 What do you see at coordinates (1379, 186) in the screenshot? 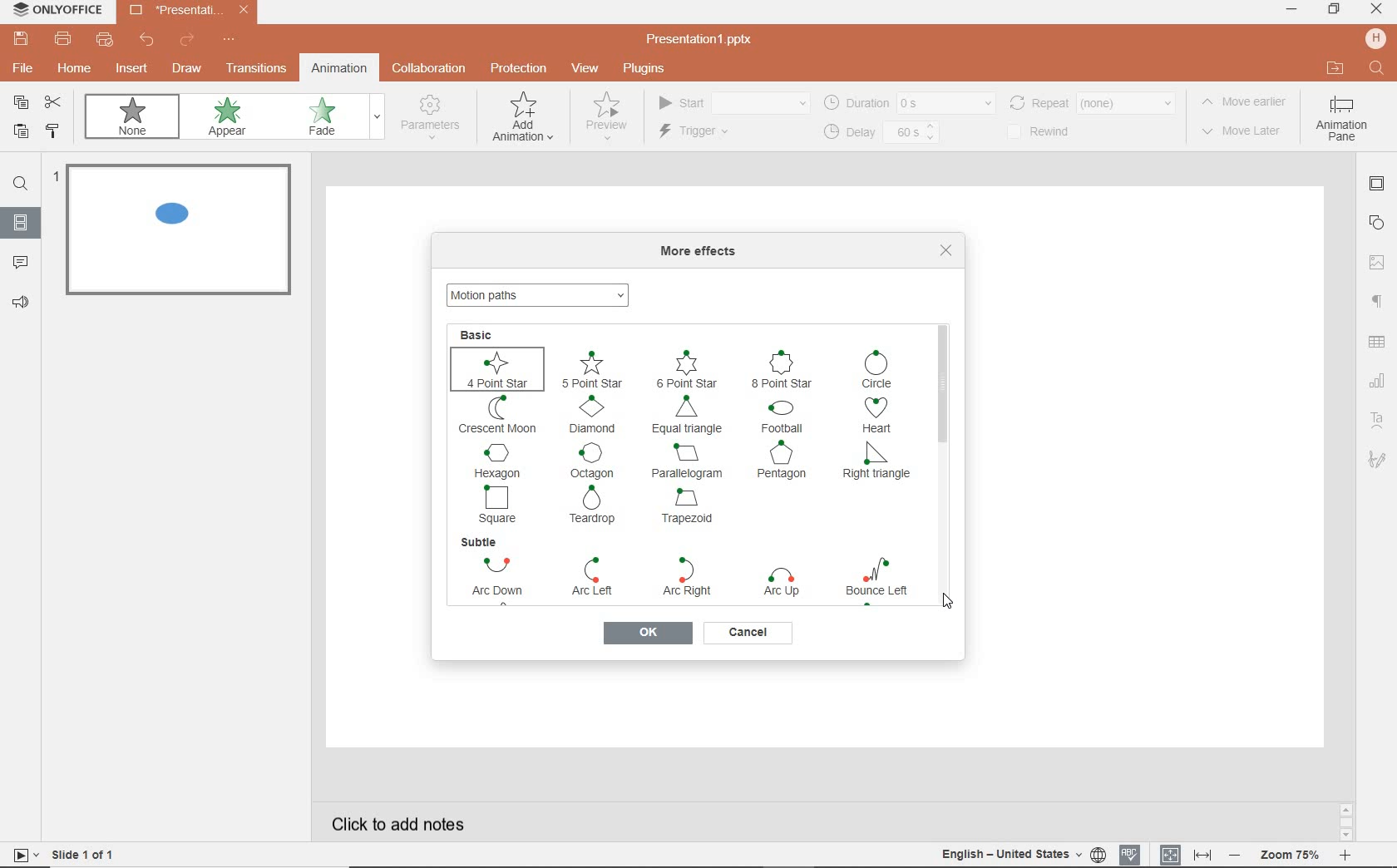
I see `slide settings` at bounding box center [1379, 186].